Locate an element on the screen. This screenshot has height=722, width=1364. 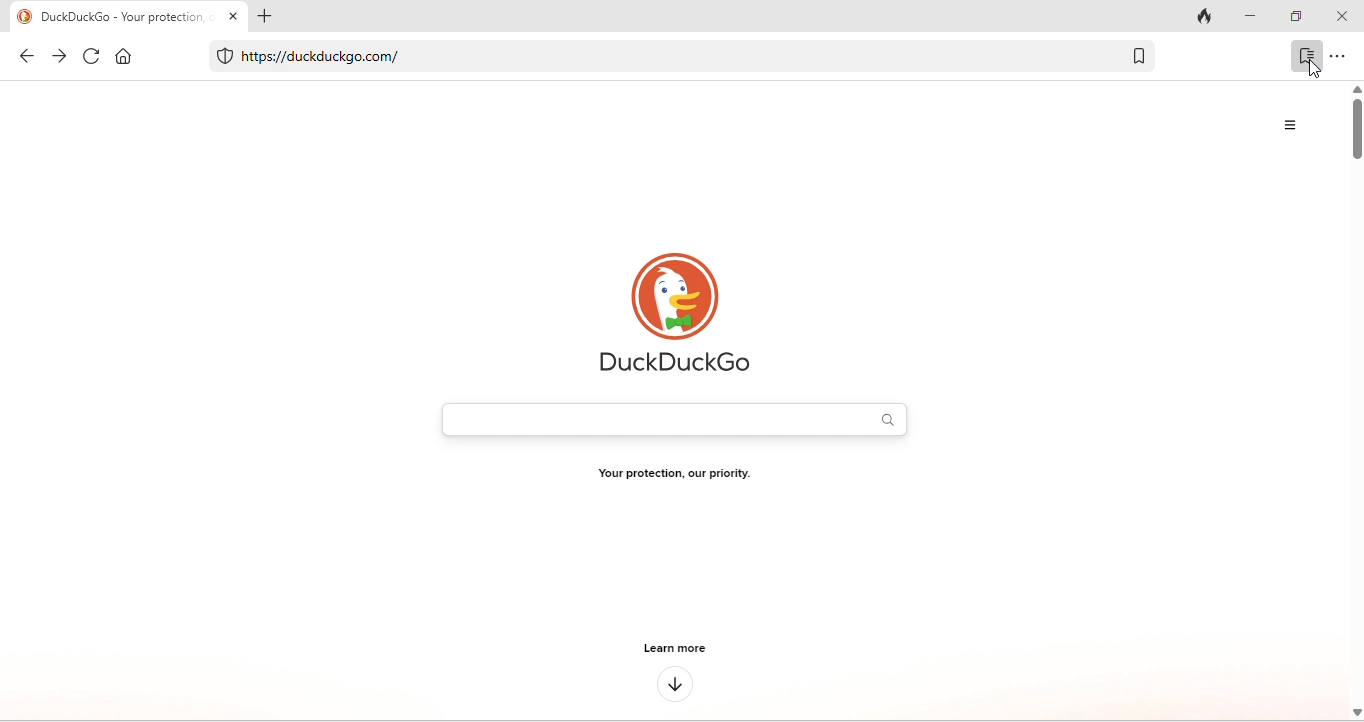
search bar is located at coordinates (673, 417).